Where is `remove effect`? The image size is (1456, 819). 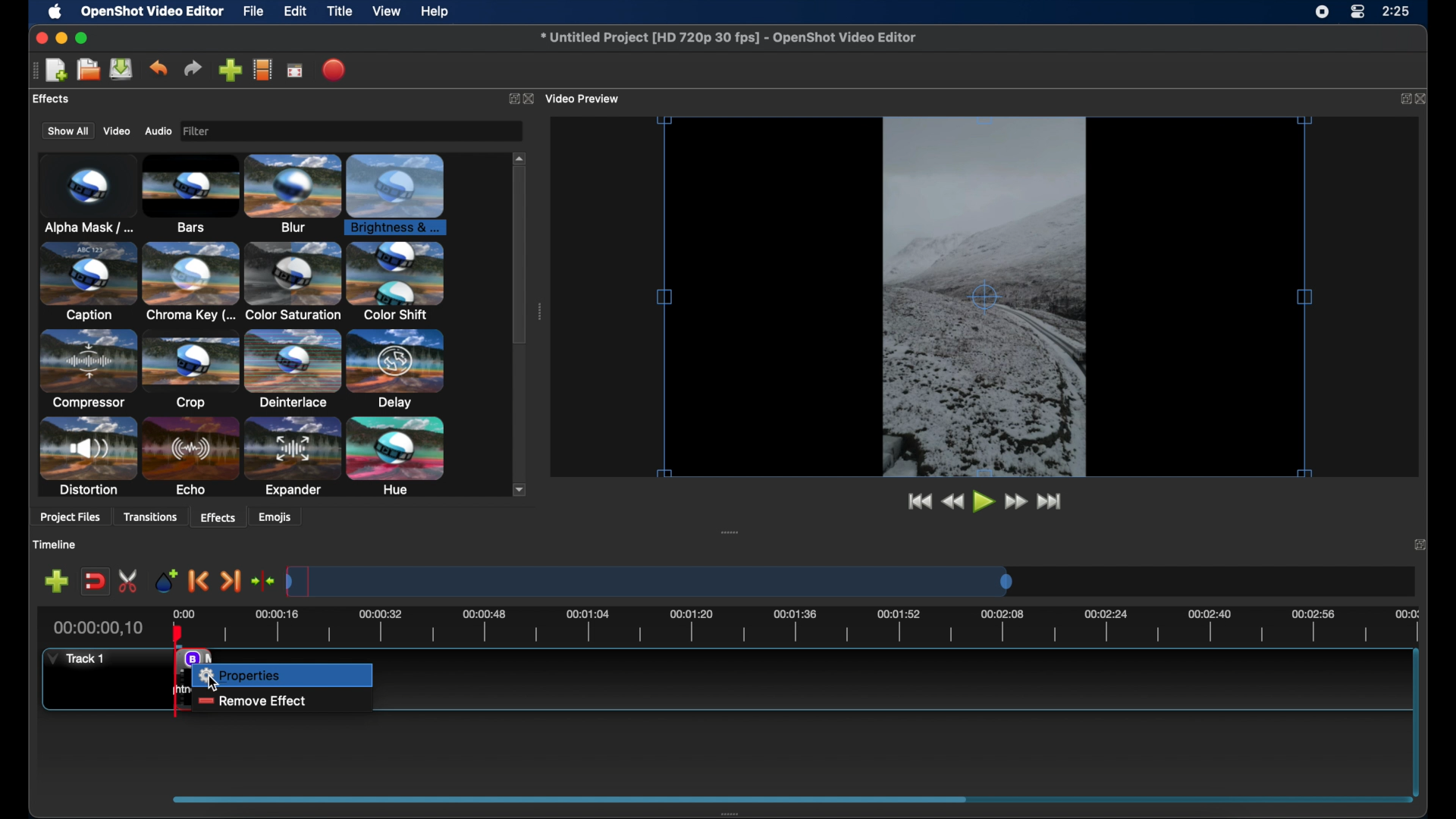 remove effect is located at coordinates (249, 701).